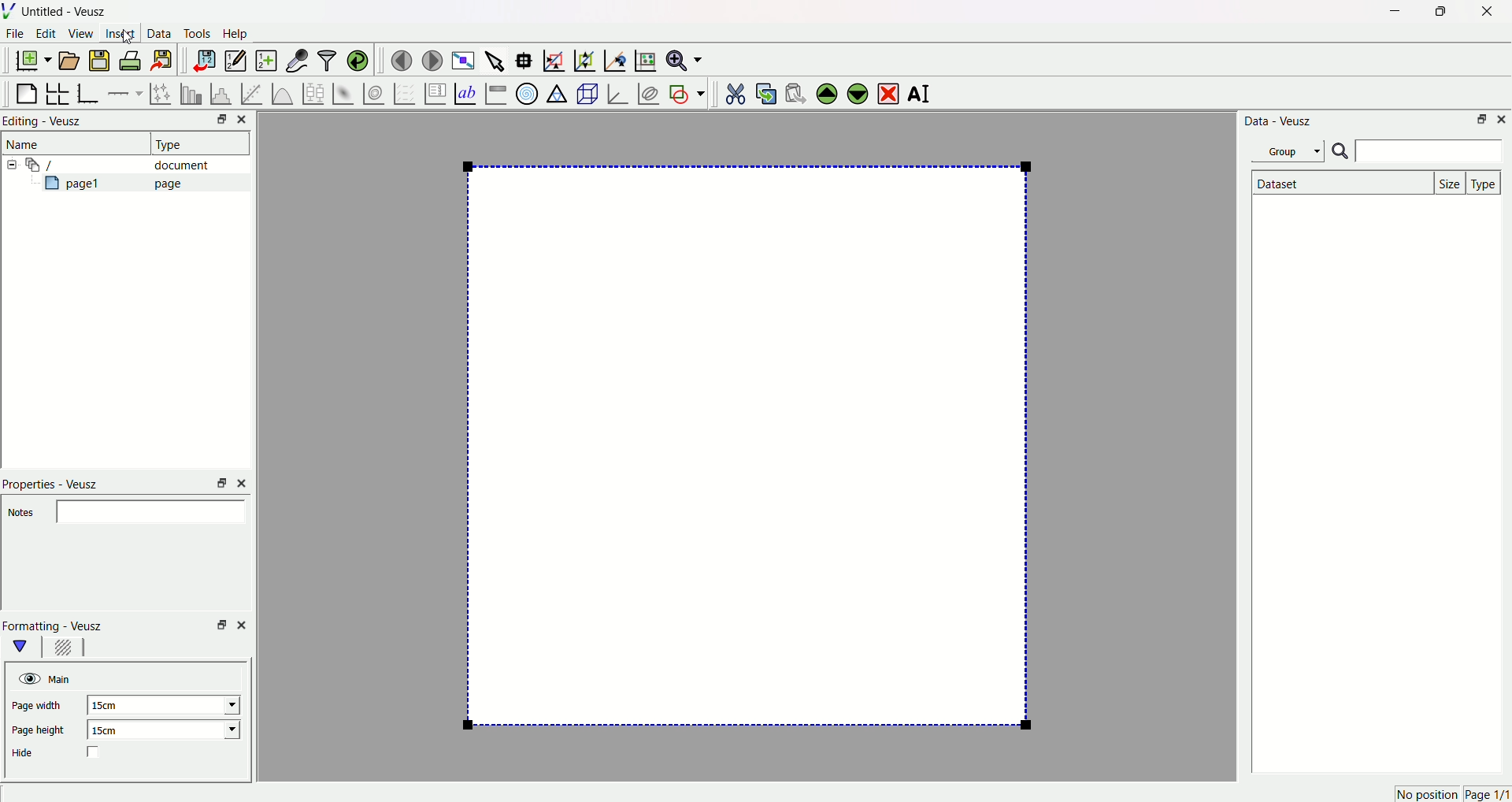 This screenshot has width=1512, height=802. I want to click on draw rectangle on zoom graph axes, so click(554, 58).